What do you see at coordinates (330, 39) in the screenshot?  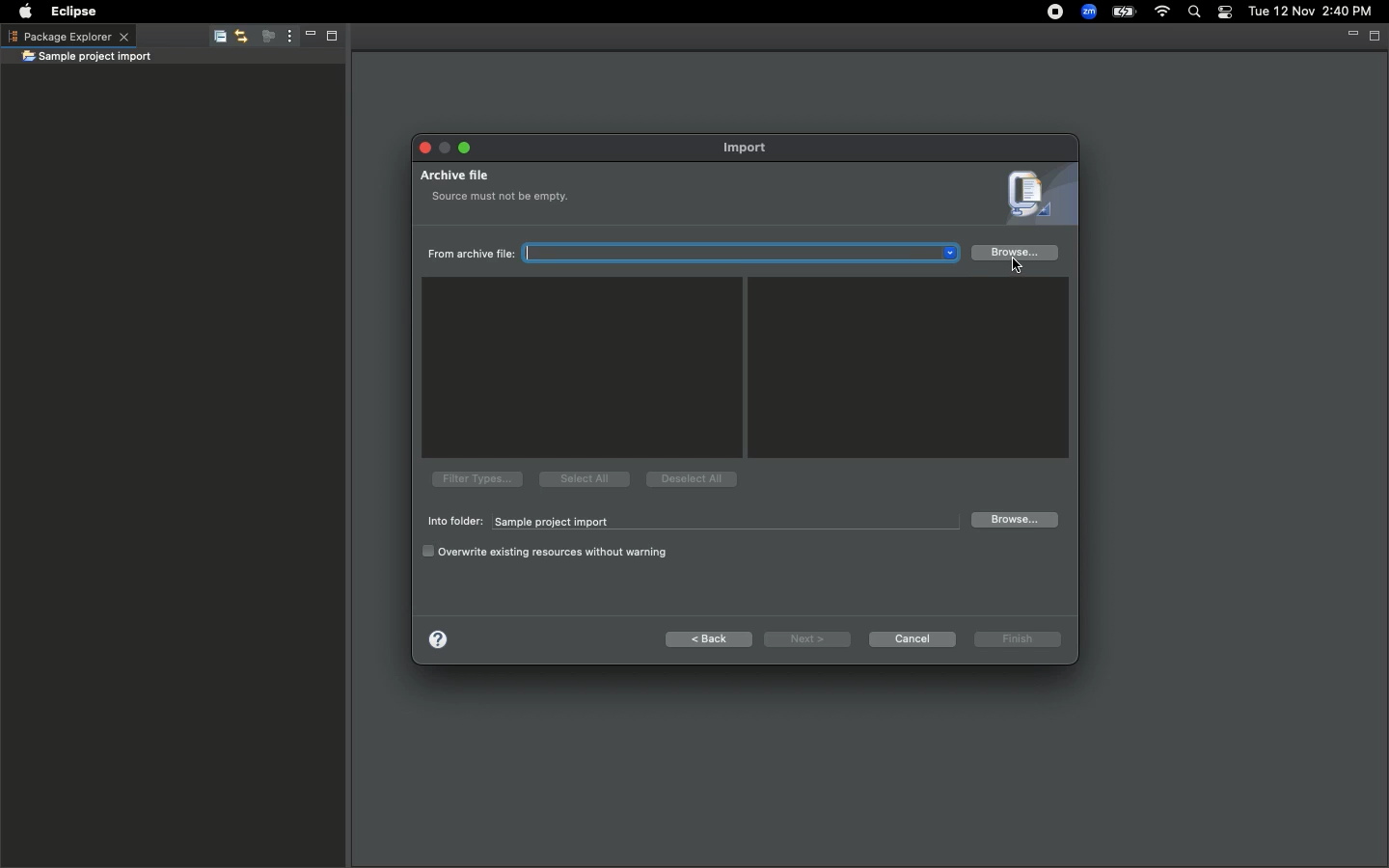 I see `Maximize` at bounding box center [330, 39].